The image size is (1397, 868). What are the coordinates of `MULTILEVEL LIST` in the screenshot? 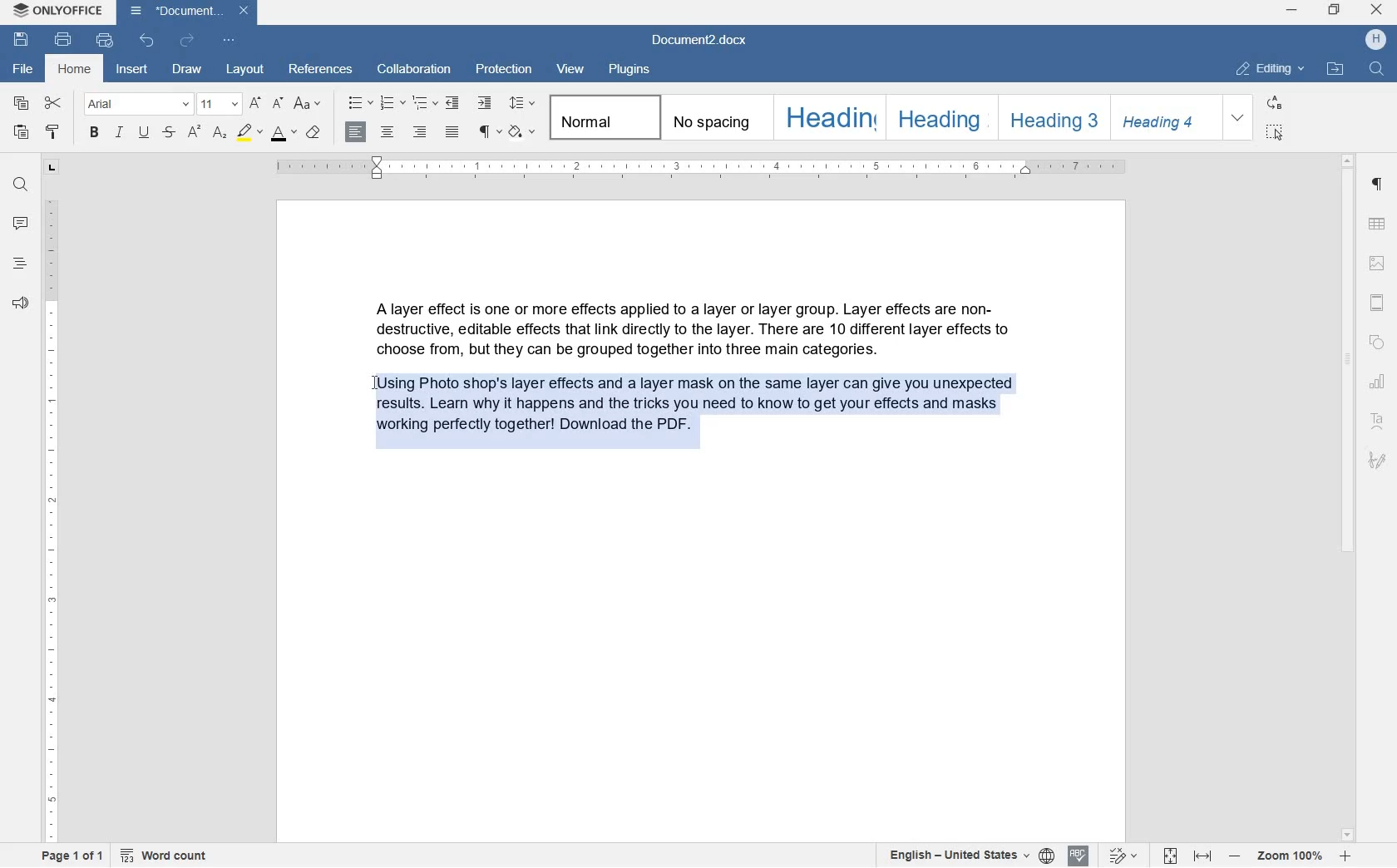 It's located at (423, 102).